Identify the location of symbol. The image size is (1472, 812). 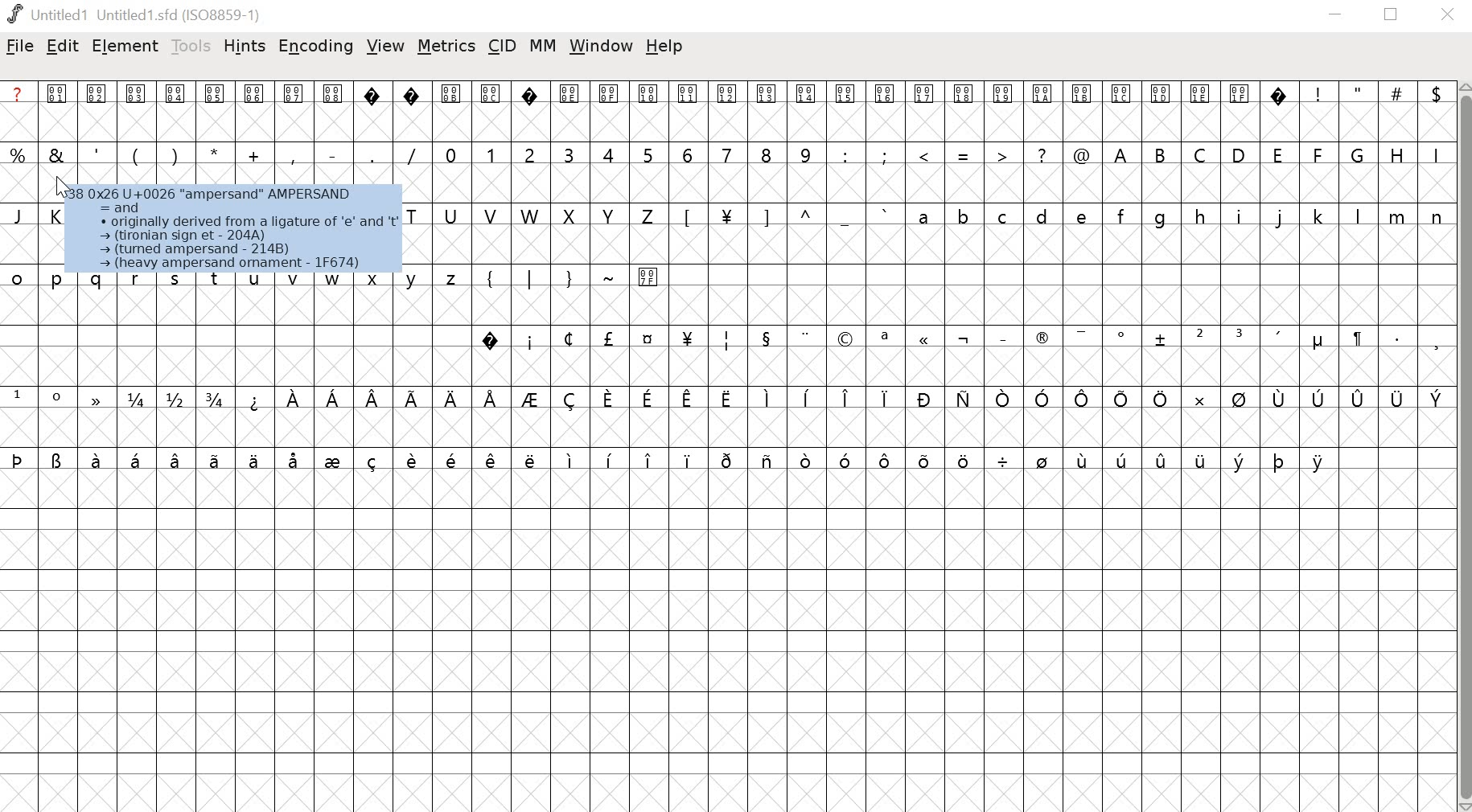
(964, 338).